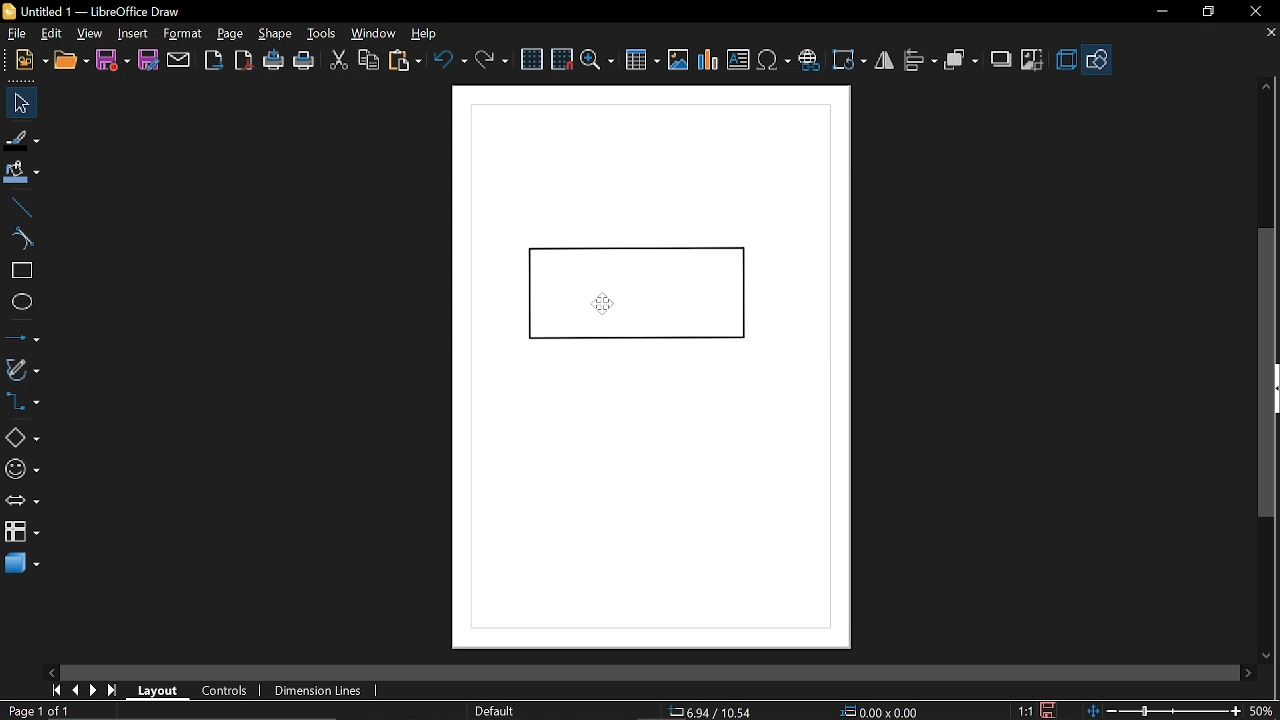  I want to click on shape, so click(274, 33).